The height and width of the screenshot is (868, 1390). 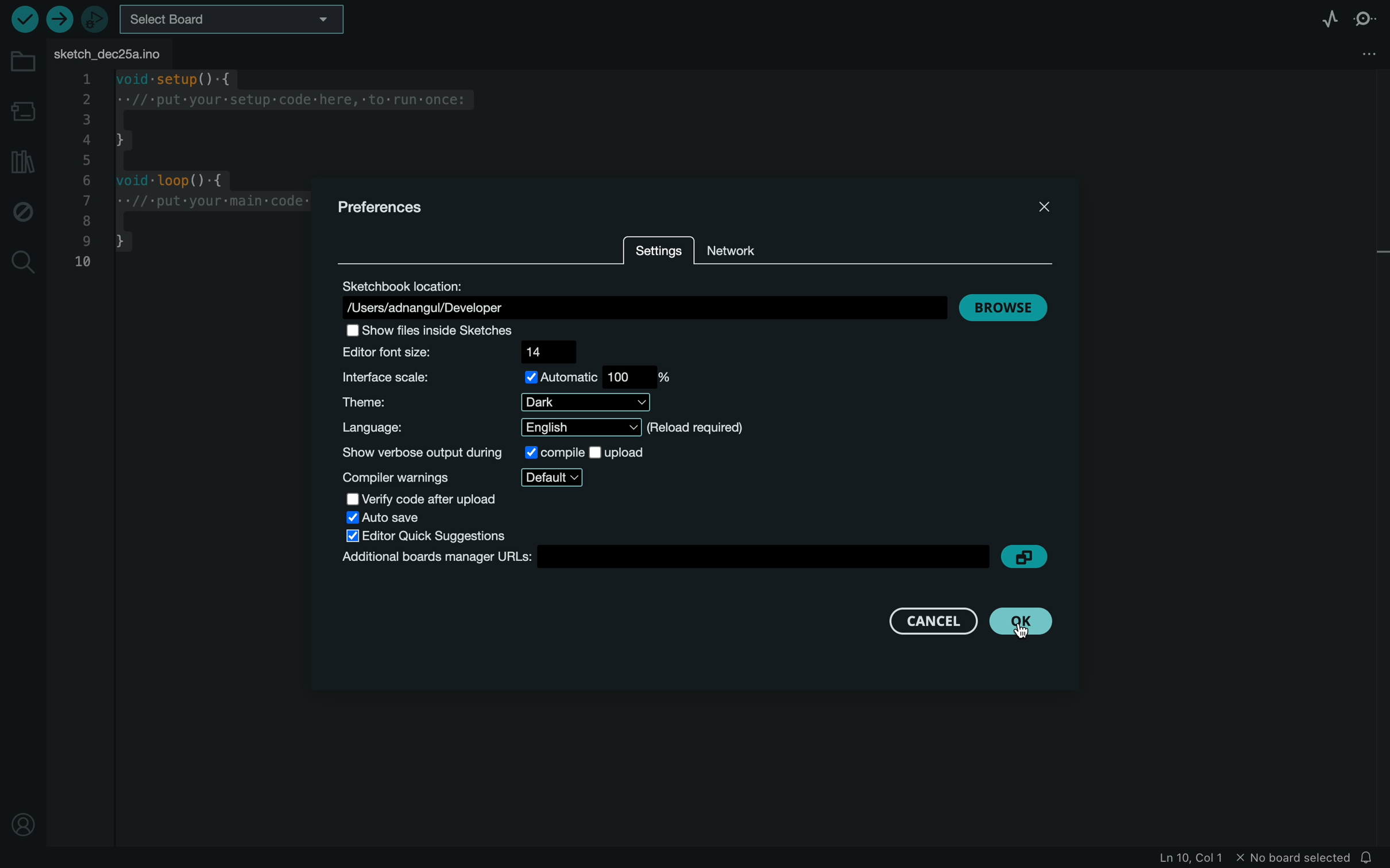 What do you see at coordinates (1367, 19) in the screenshot?
I see `serial monitor` at bounding box center [1367, 19].